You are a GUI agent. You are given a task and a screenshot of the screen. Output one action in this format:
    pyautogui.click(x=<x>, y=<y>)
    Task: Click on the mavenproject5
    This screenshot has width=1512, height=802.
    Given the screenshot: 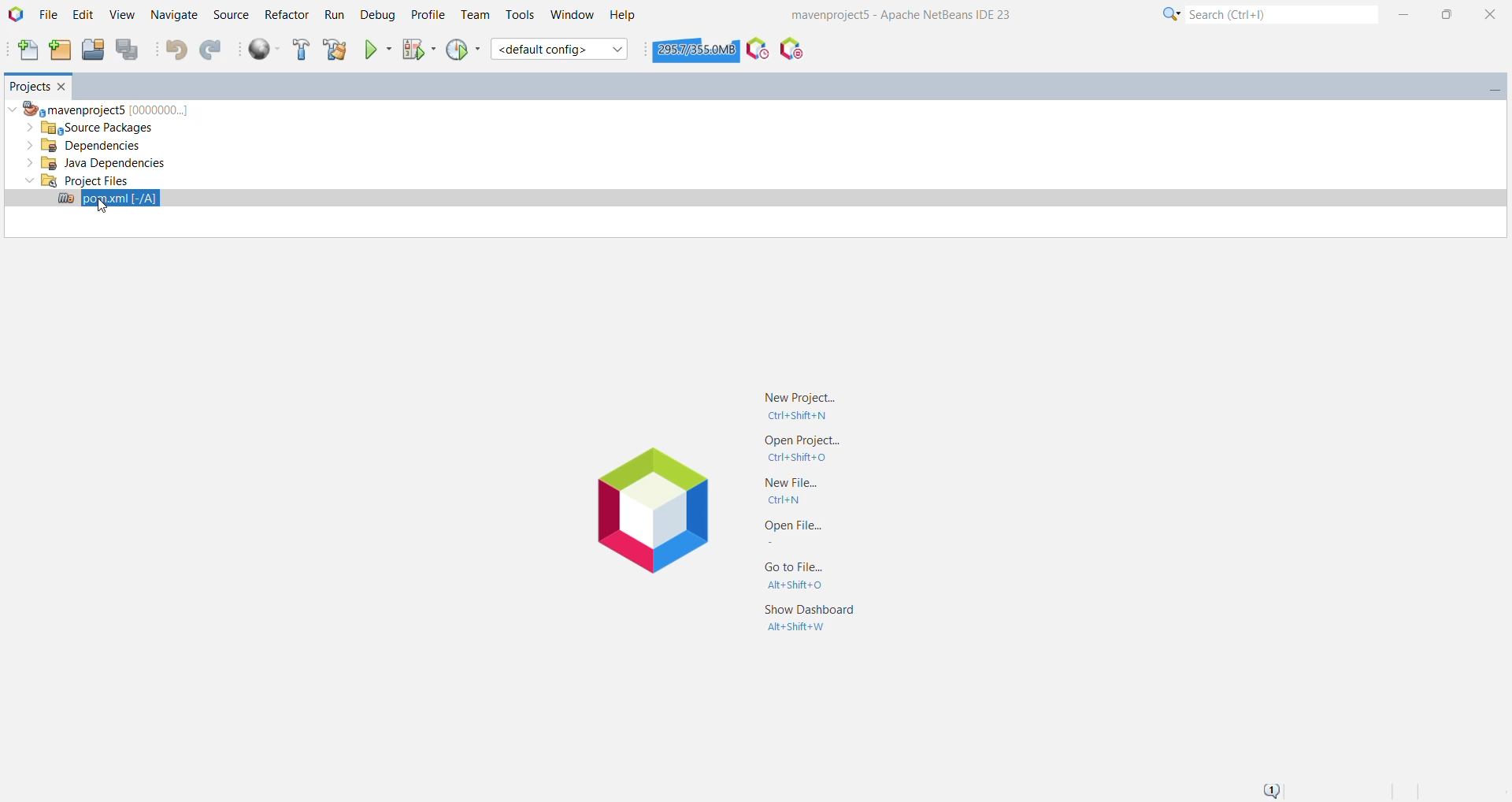 What is the action you would take?
    pyautogui.click(x=104, y=108)
    